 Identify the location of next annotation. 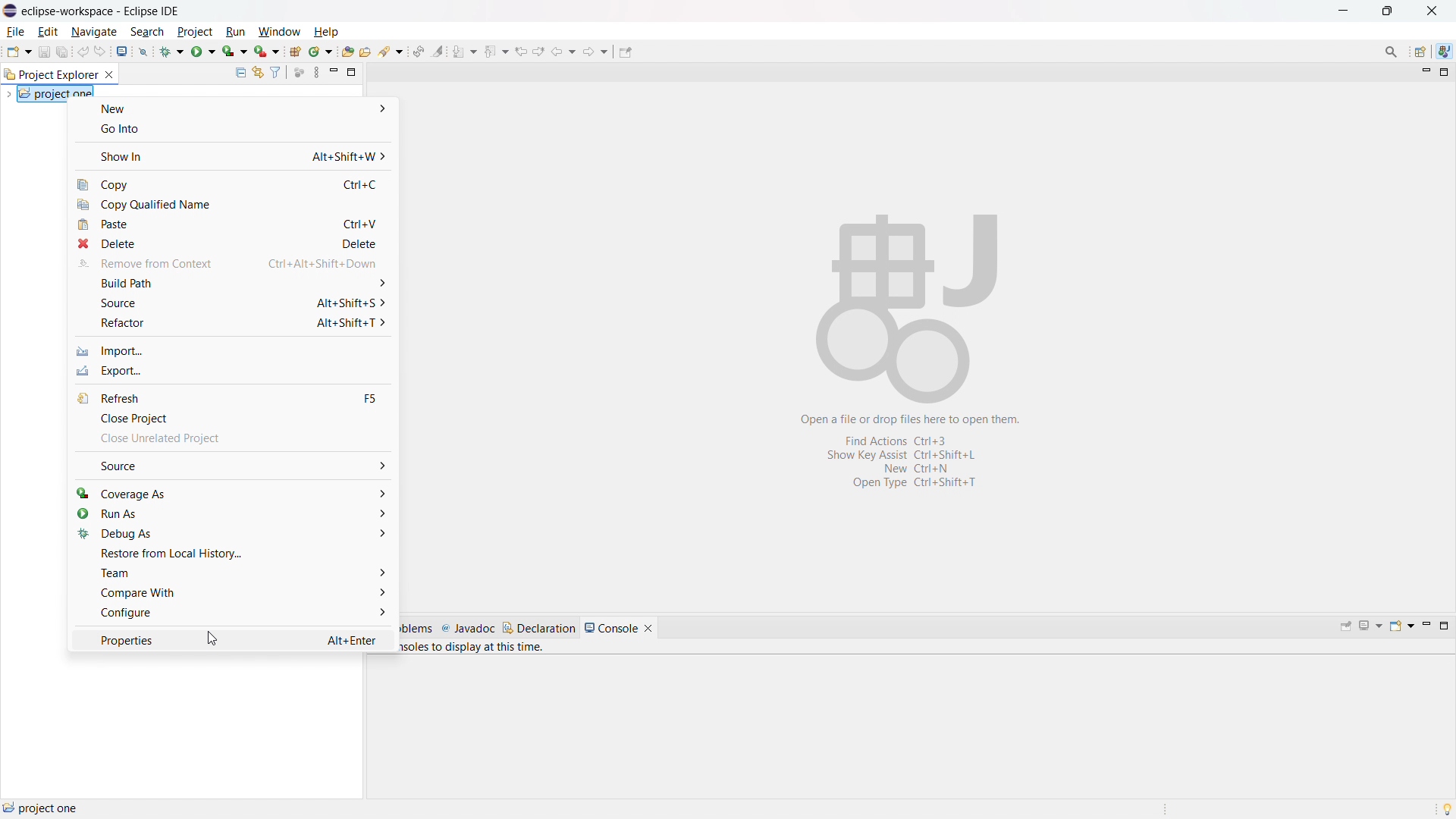
(464, 52).